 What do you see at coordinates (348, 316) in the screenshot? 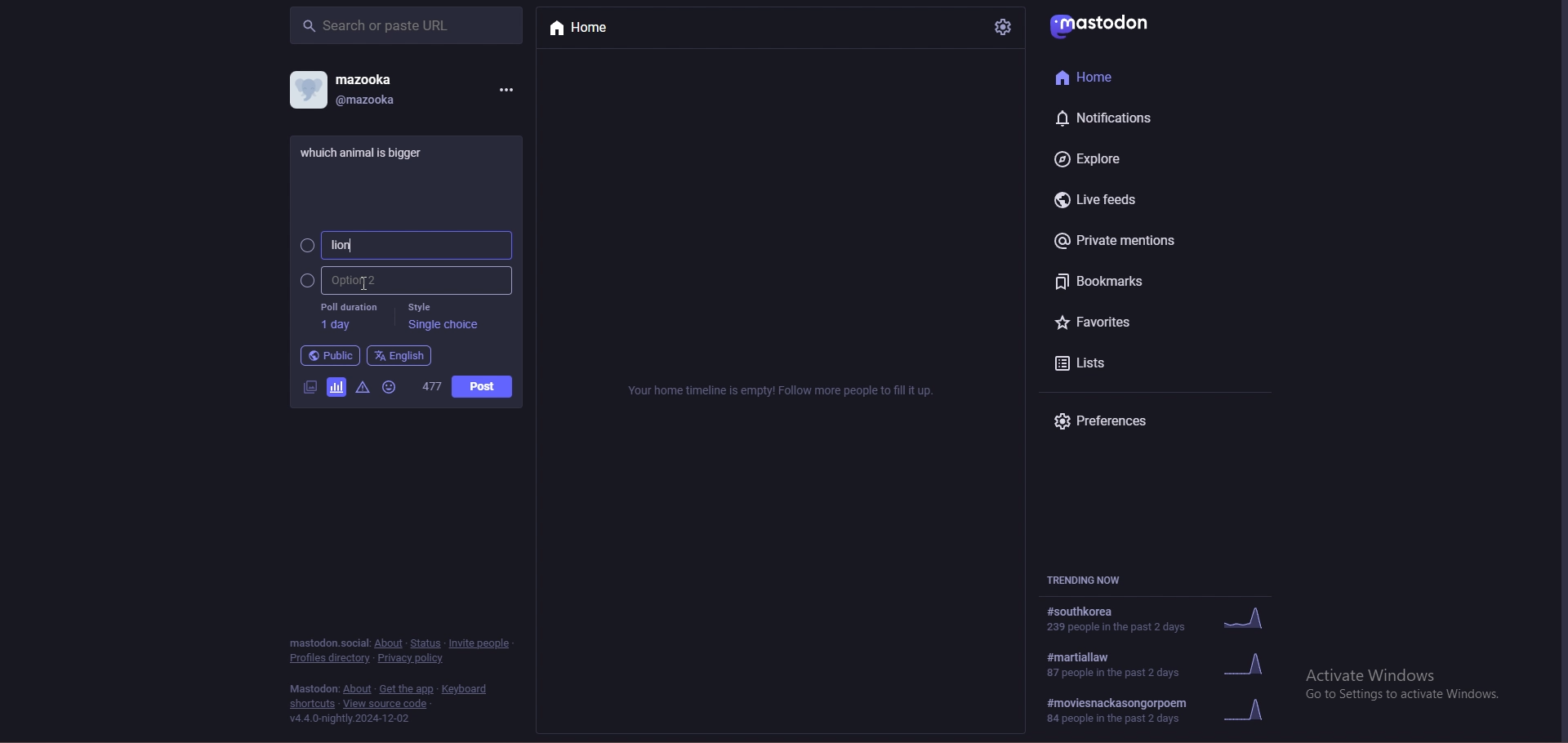
I see `poll duration` at bounding box center [348, 316].